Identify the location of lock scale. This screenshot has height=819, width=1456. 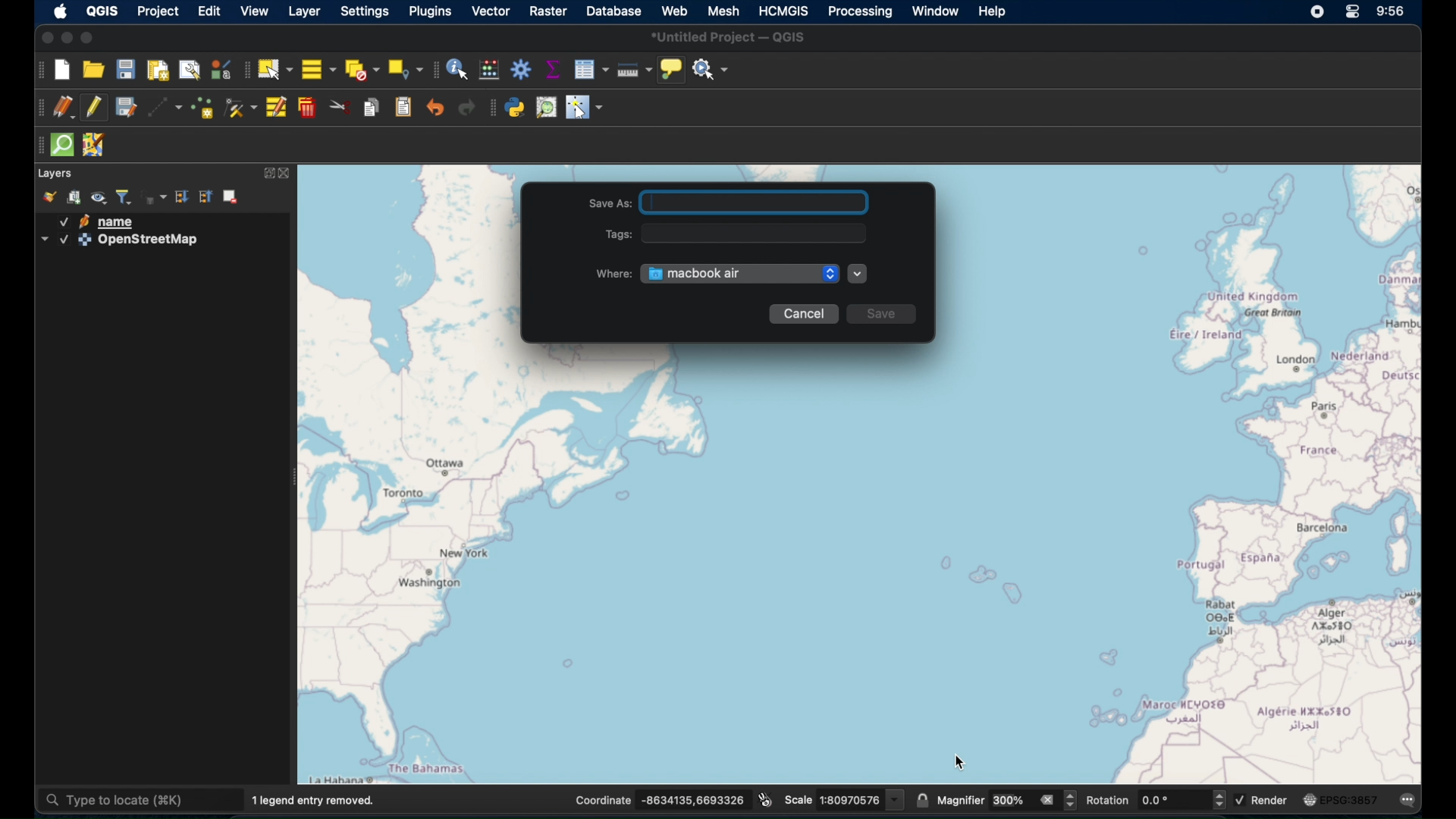
(924, 802).